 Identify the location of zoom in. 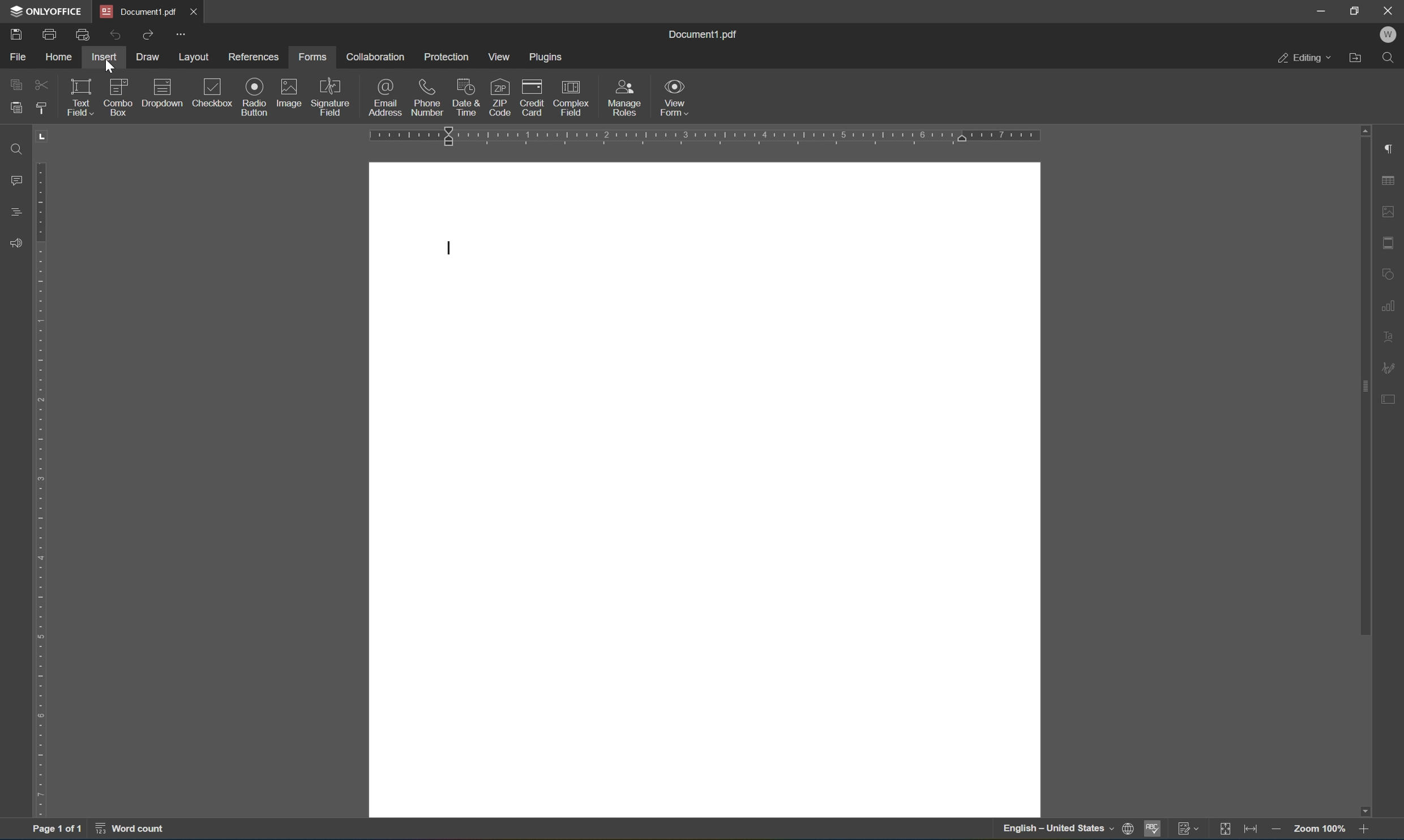
(1367, 830).